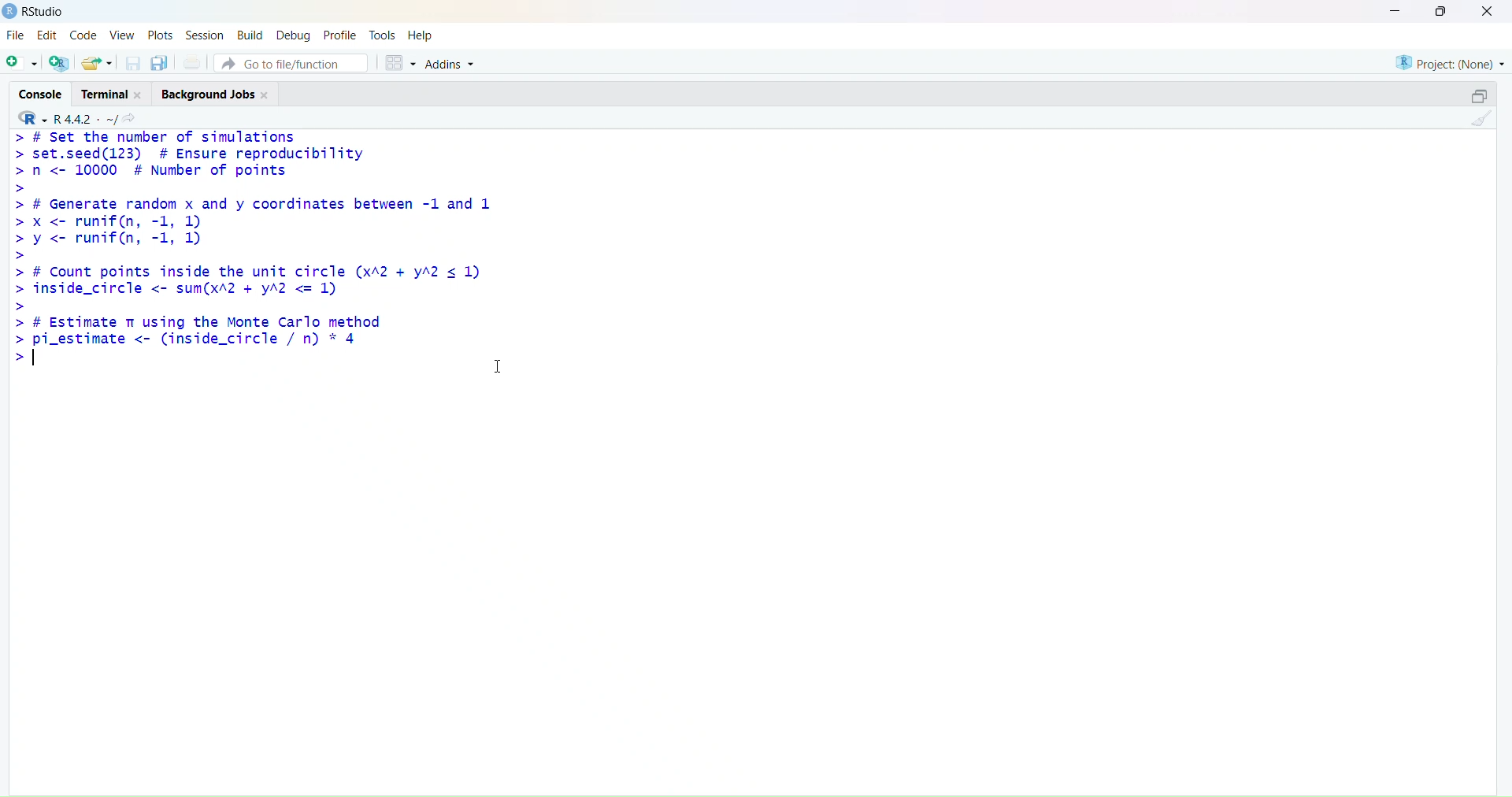 This screenshot has width=1512, height=797. Describe the element at coordinates (39, 13) in the screenshot. I see `RStudio` at that location.